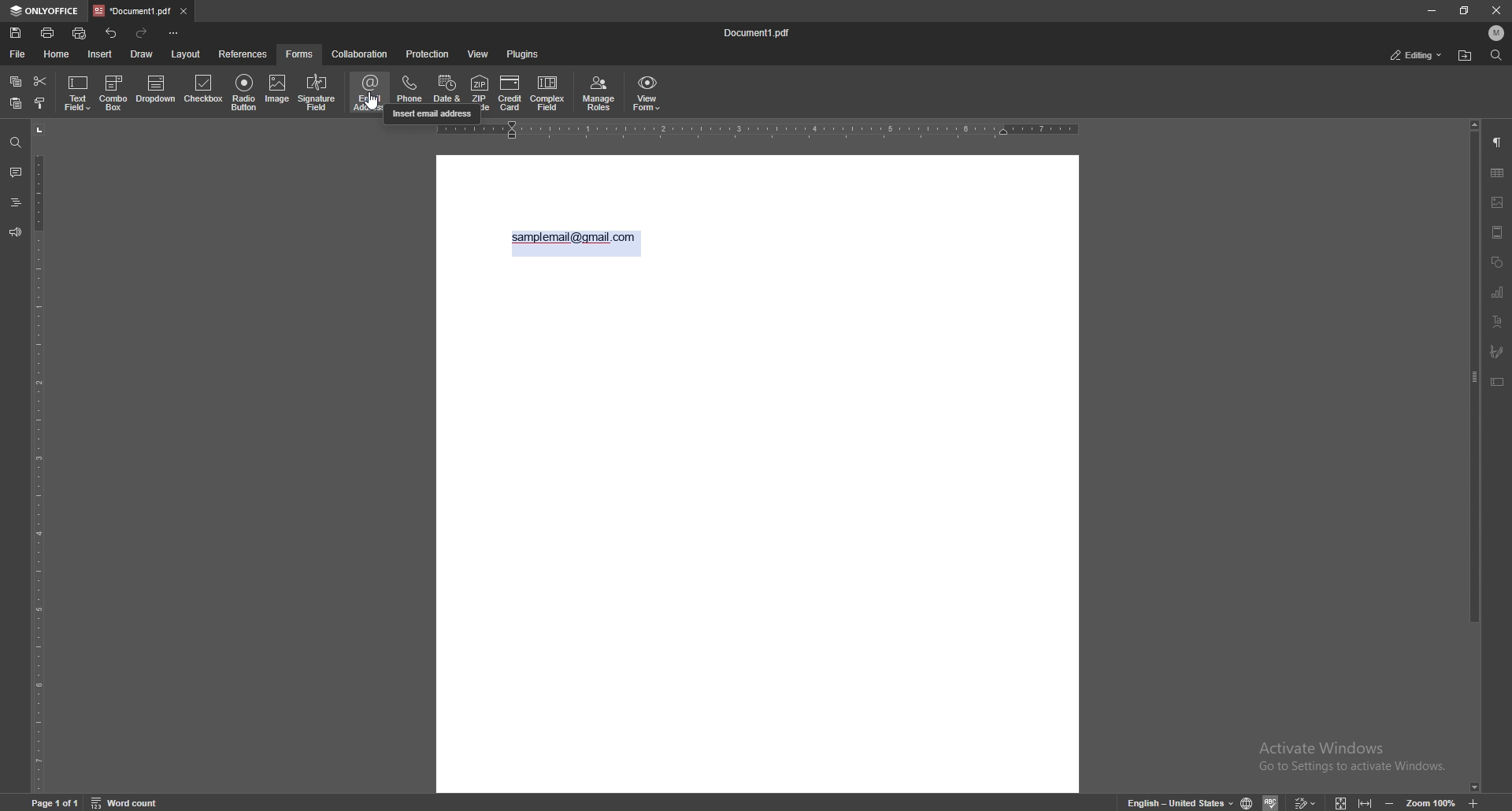 The height and width of the screenshot is (811, 1512). I want to click on forms, so click(302, 54).